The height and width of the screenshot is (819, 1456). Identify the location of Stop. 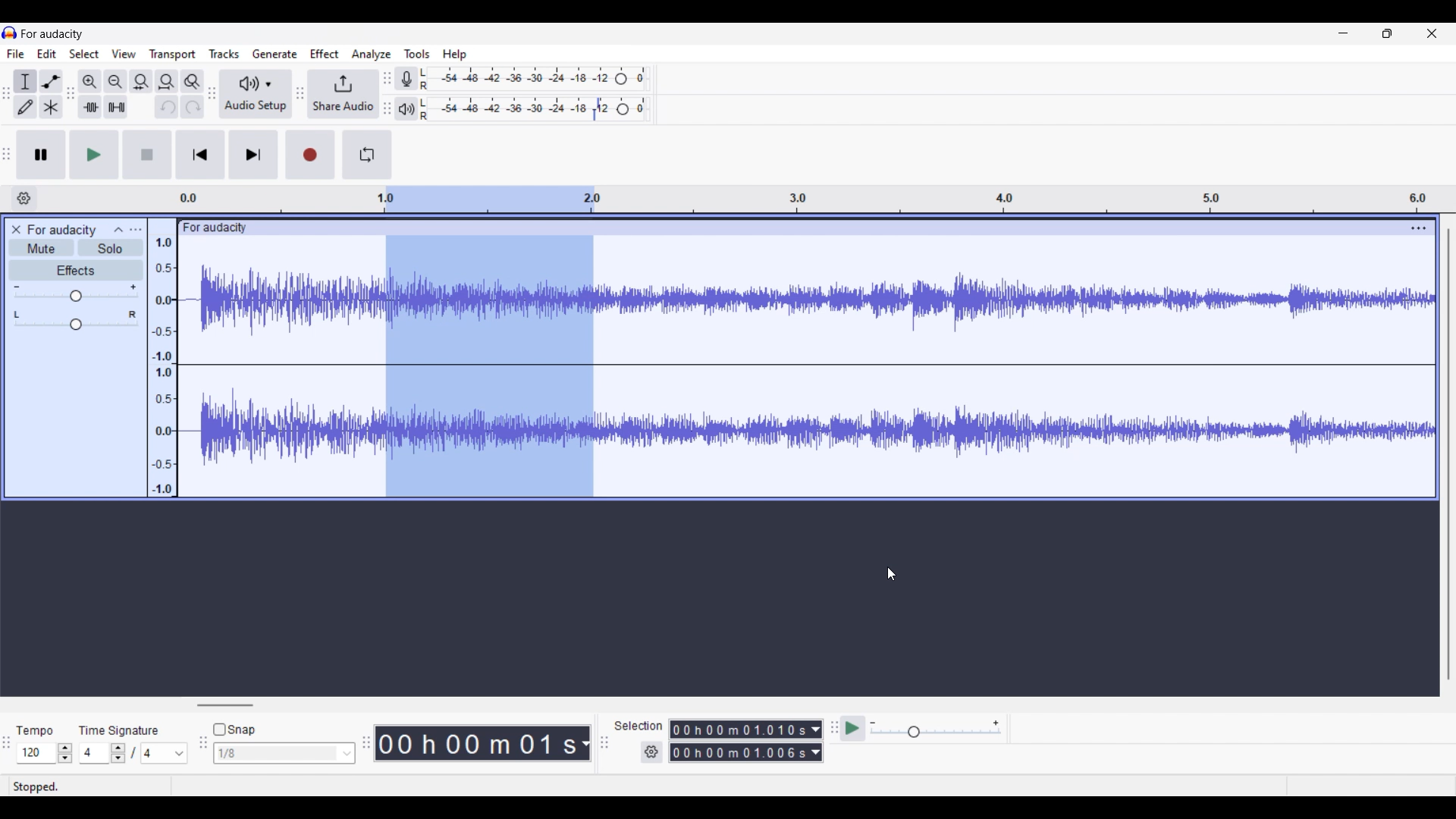
(148, 155).